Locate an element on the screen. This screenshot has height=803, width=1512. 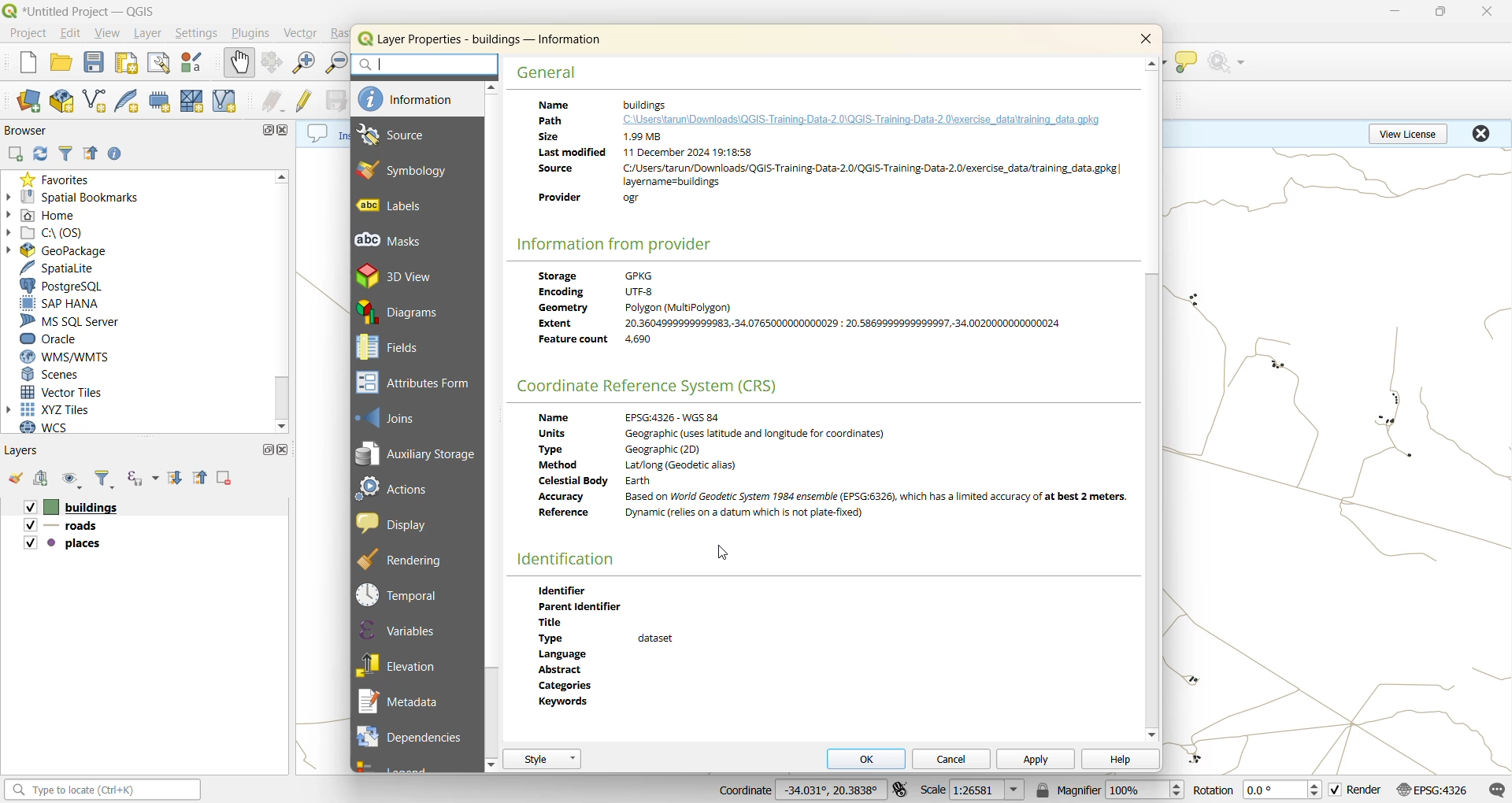
new is located at coordinates (29, 61).